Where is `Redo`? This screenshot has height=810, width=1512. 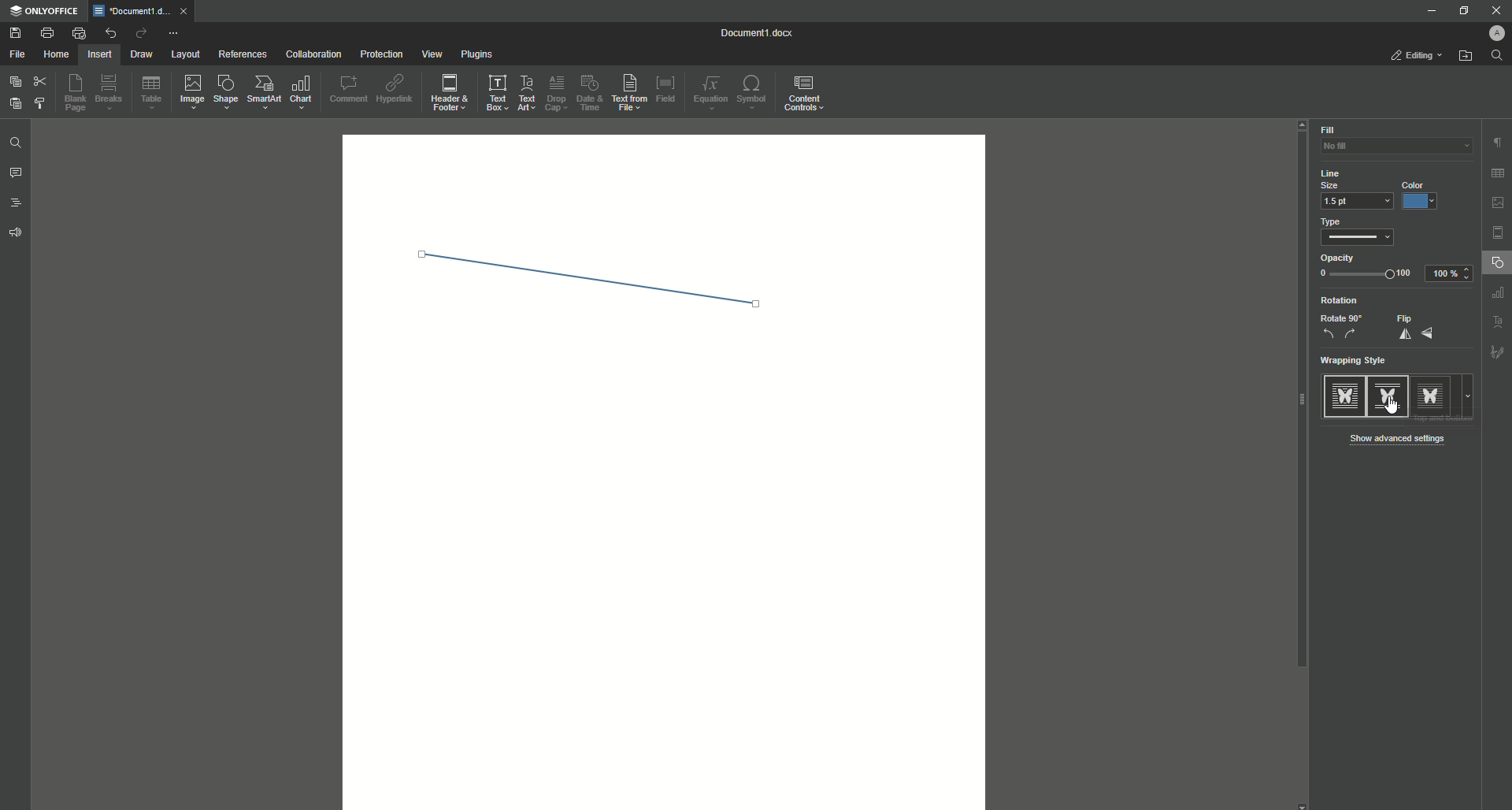
Redo is located at coordinates (139, 34).